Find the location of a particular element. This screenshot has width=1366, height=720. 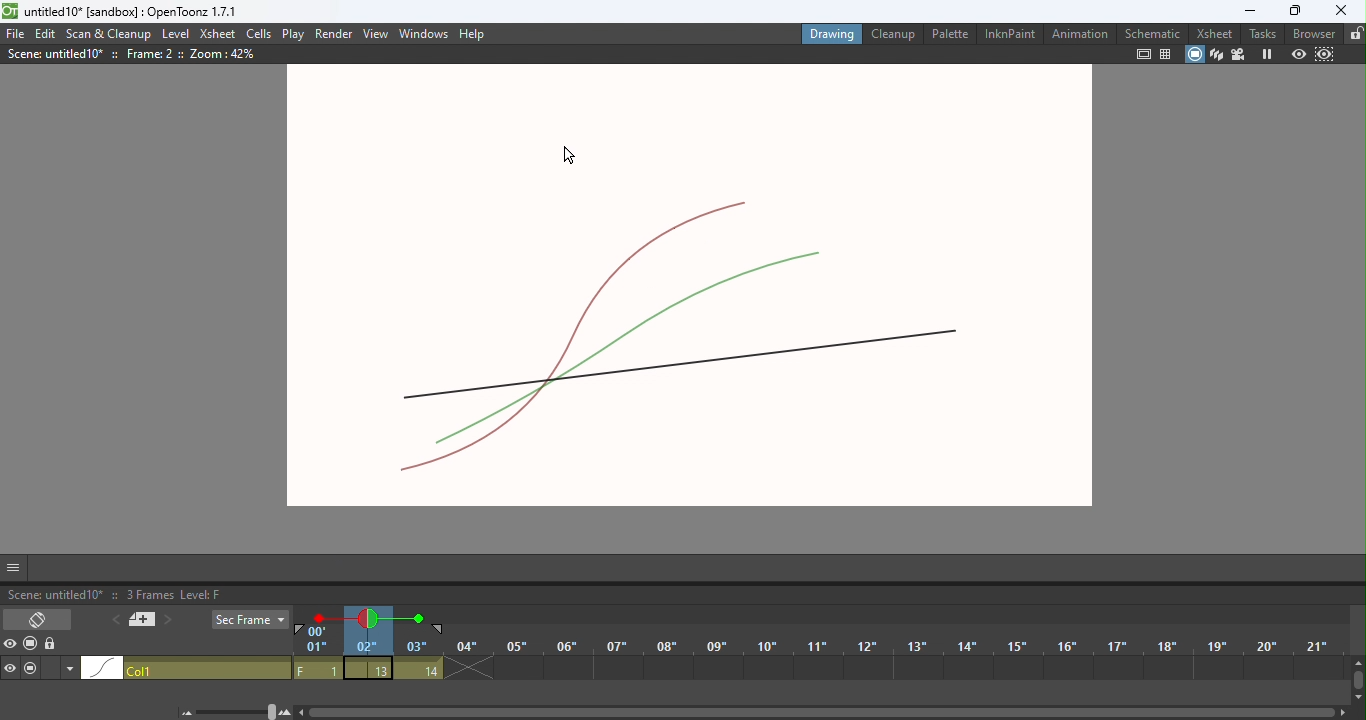

field guide is located at coordinates (1166, 54).